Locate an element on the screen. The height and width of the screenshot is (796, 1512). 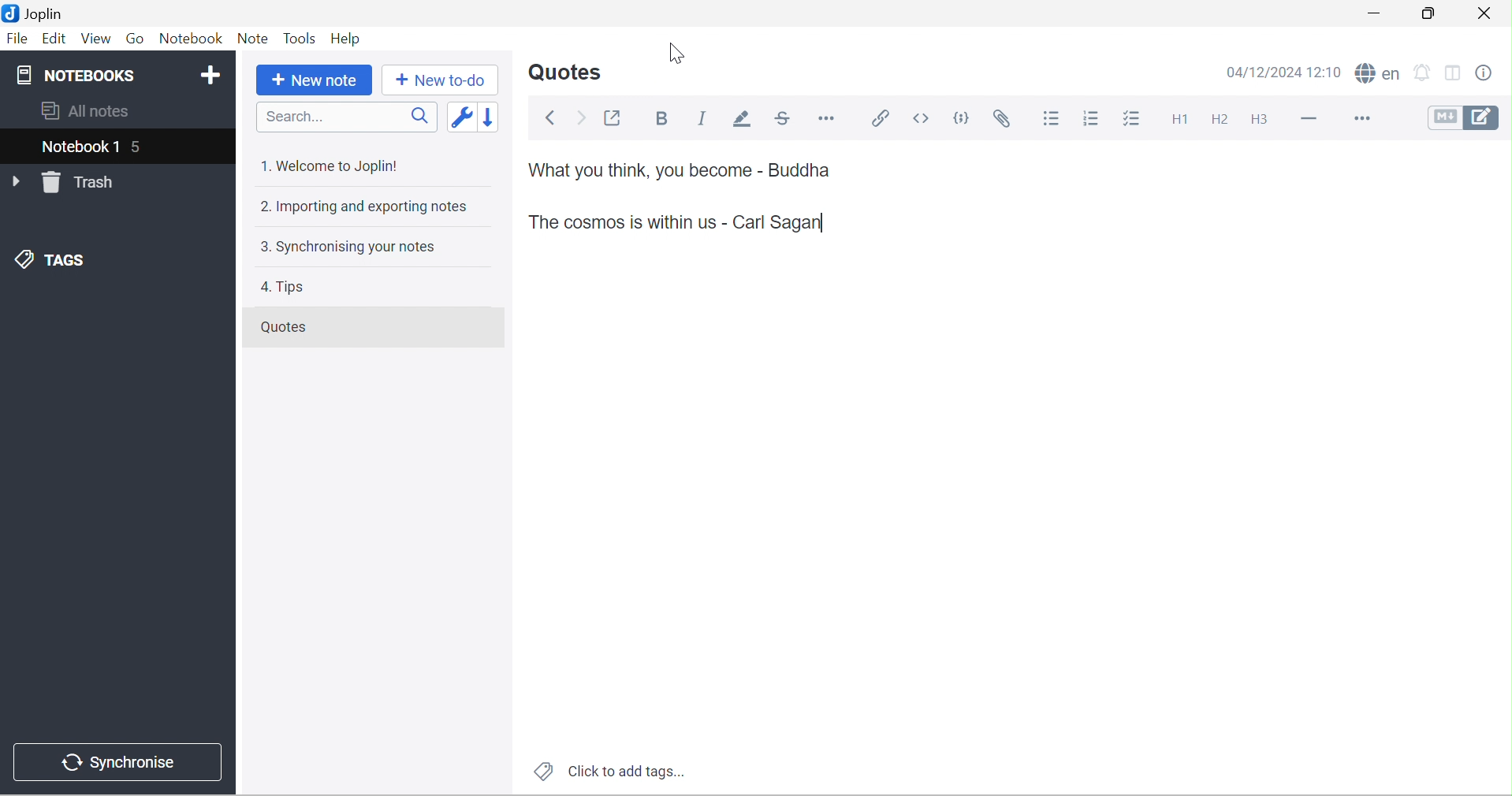
Search is located at coordinates (348, 118).